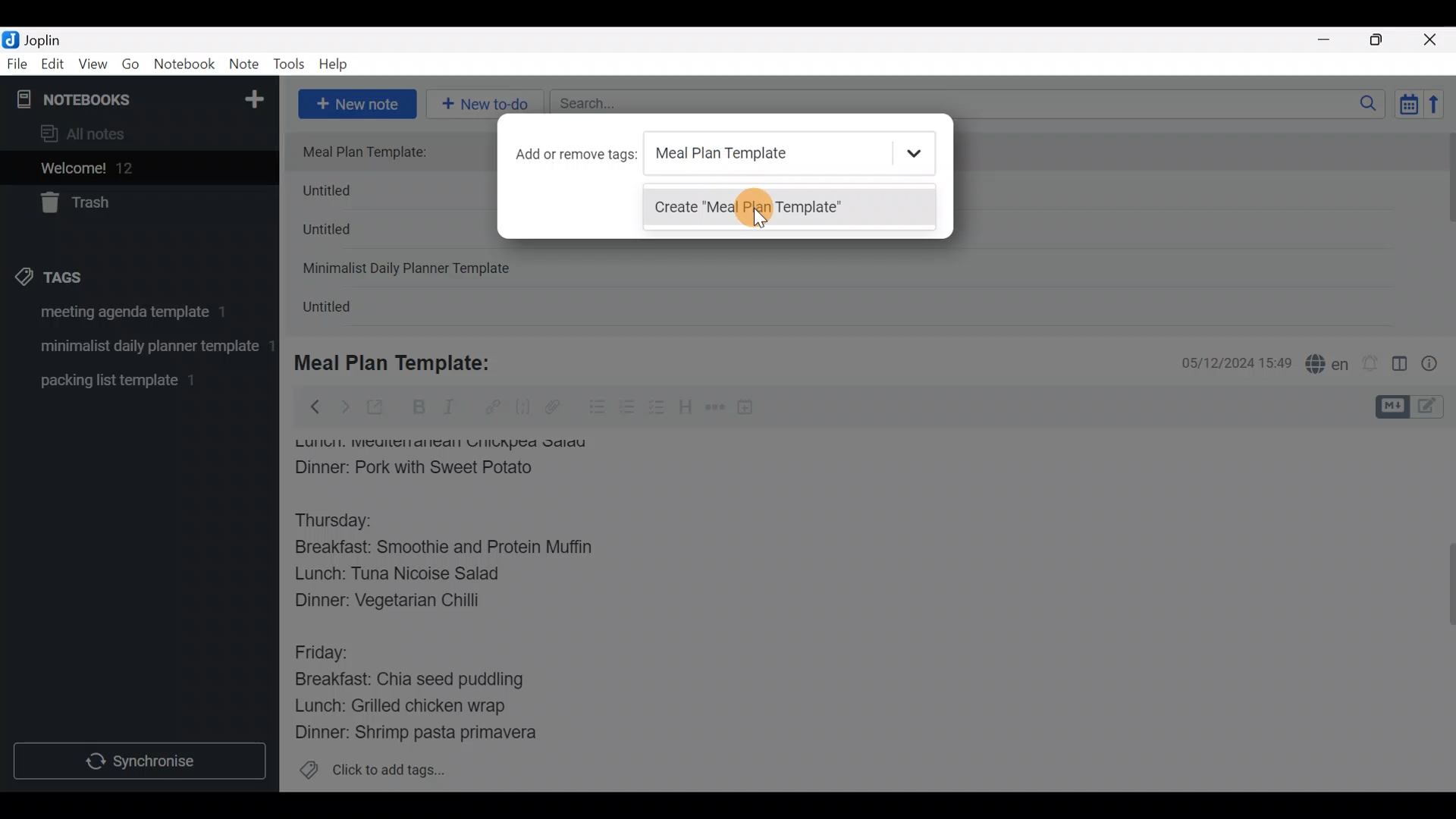 This screenshot has height=819, width=1456. Describe the element at coordinates (488, 102) in the screenshot. I see `New to-do` at that location.